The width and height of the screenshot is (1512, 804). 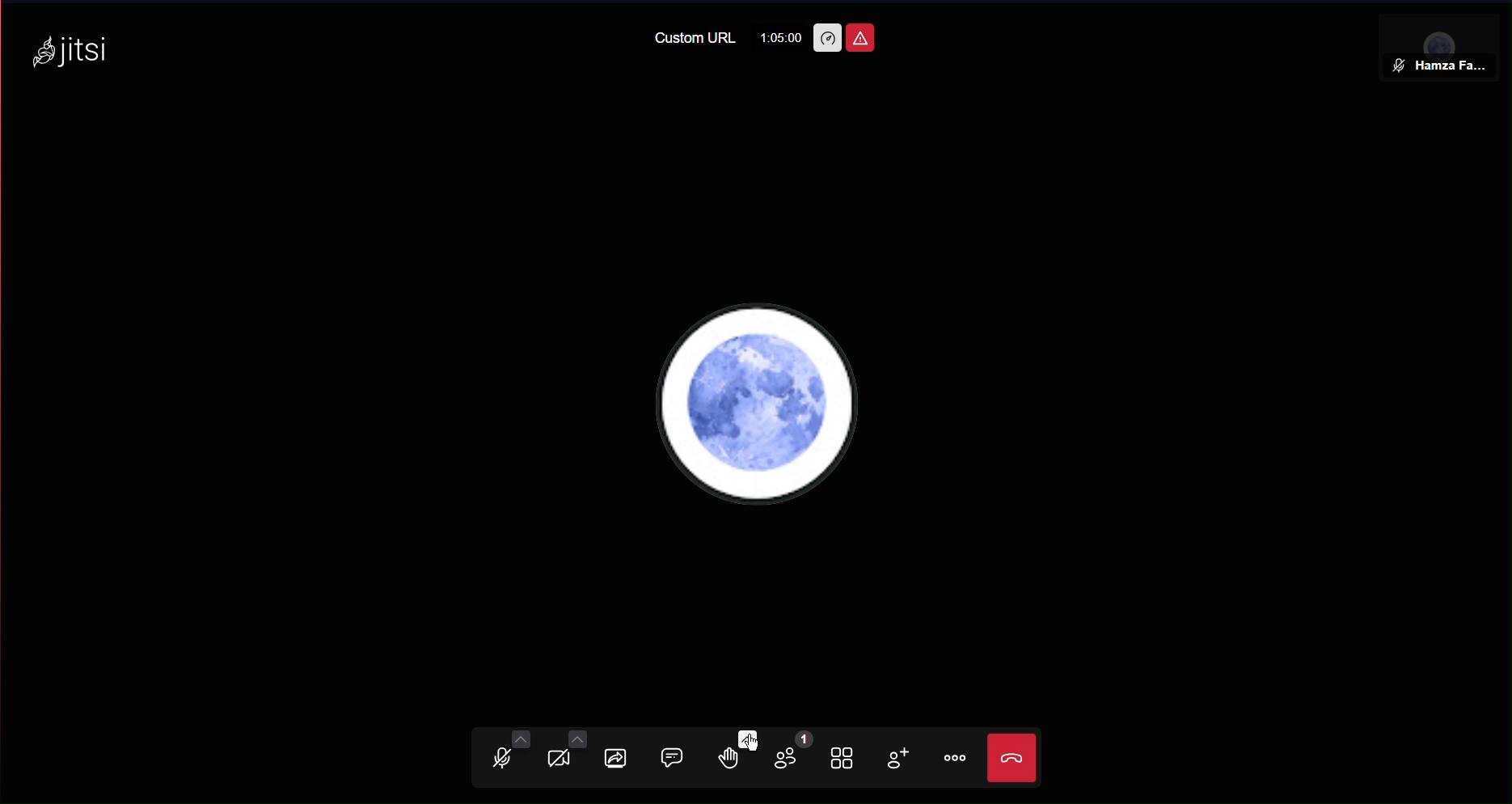 What do you see at coordinates (797, 757) in the screenshot?
I see `Participants` at bounding box center [797, 757].